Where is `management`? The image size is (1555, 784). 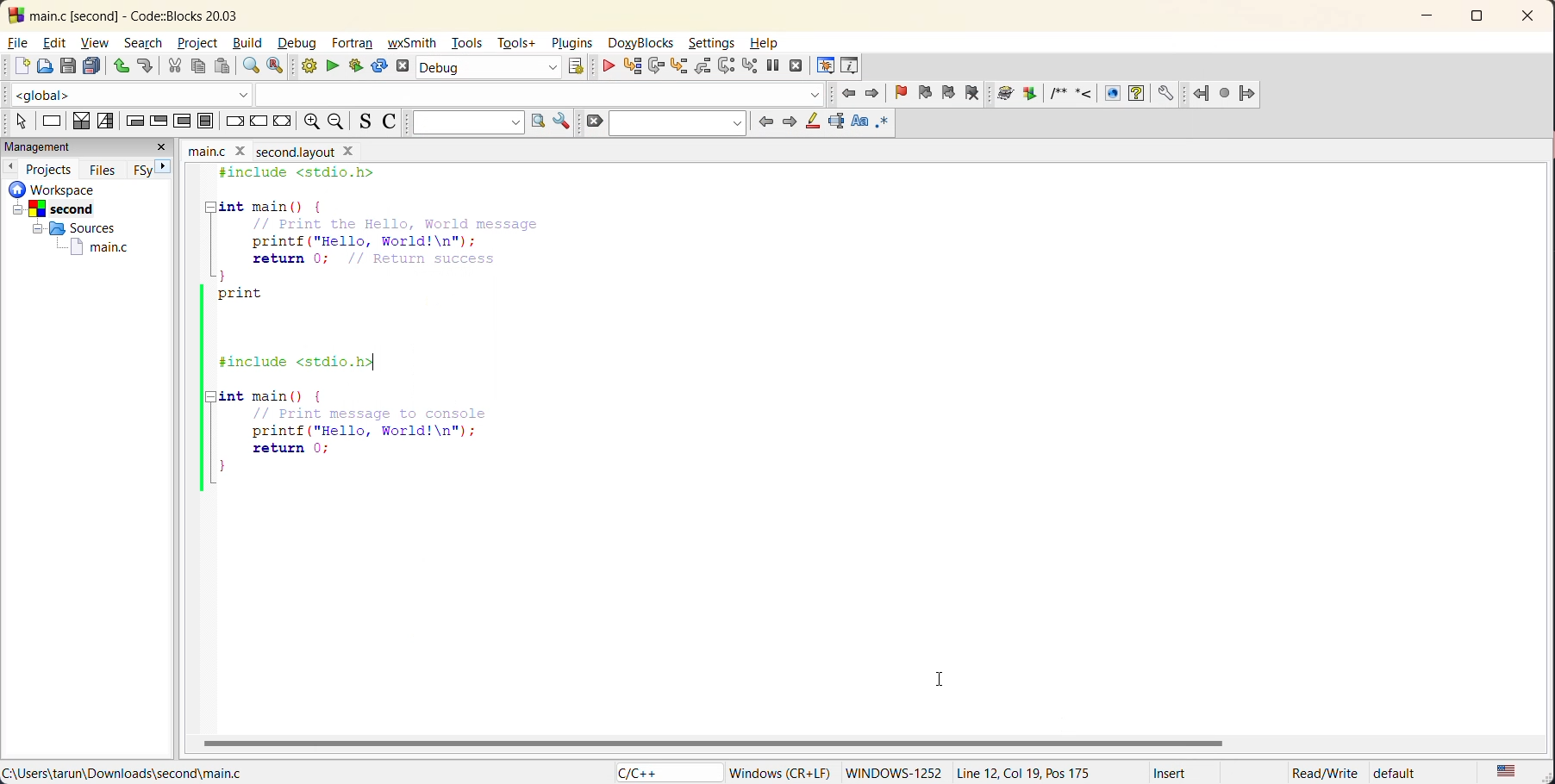
management is located at coordinates (66, 146).